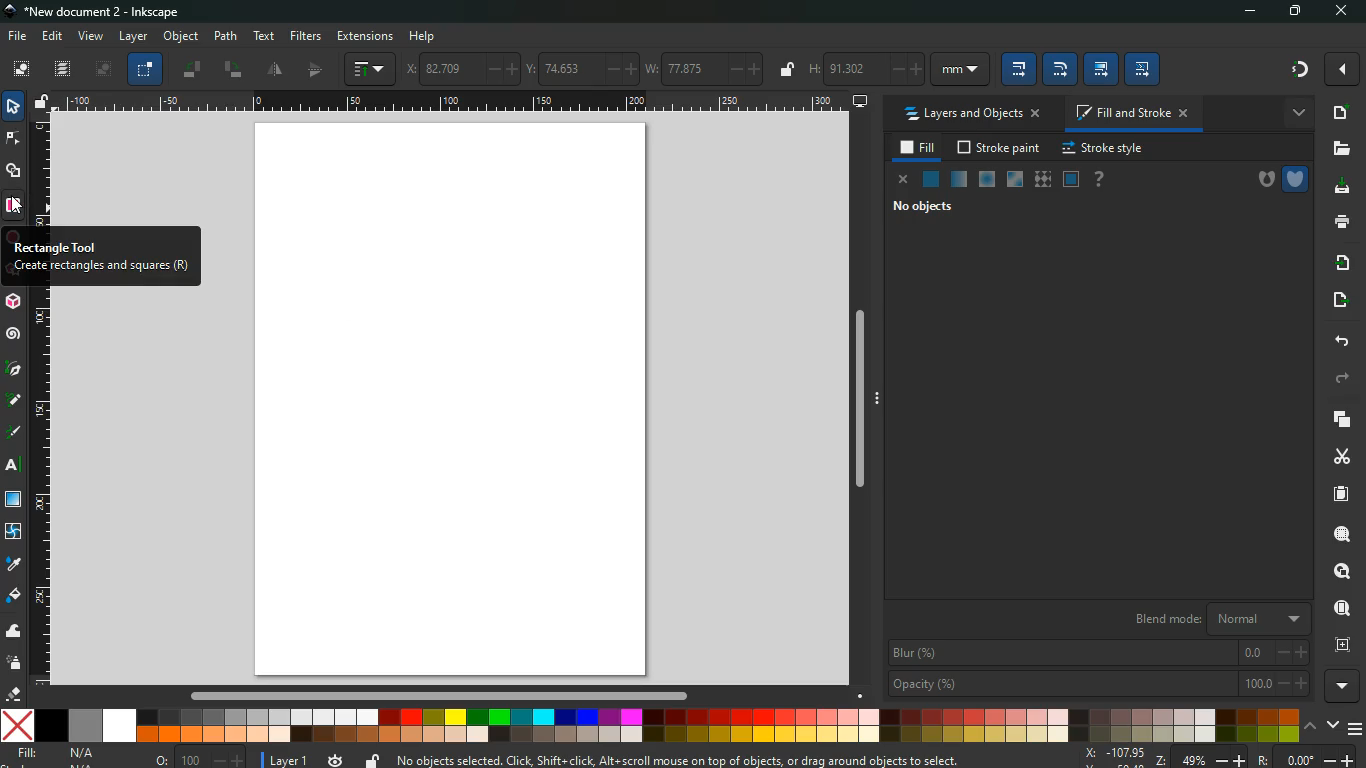  What do you see at coordinates (14, 693) in the screenshot?
I see `erase` at bounding box center [14, 693].